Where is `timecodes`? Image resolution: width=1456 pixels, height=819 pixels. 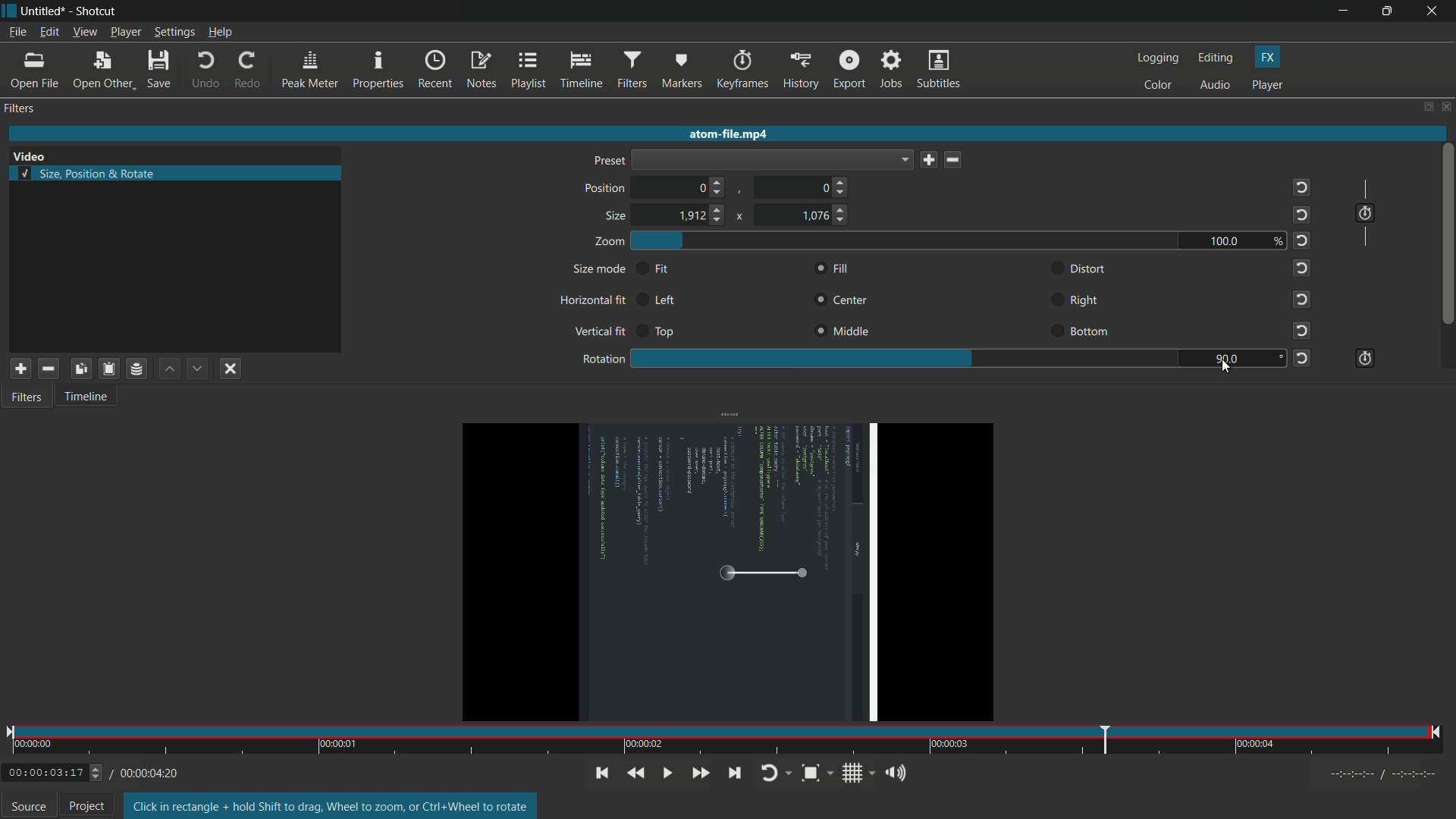
timecodes is located at coordinates (1385, 776).